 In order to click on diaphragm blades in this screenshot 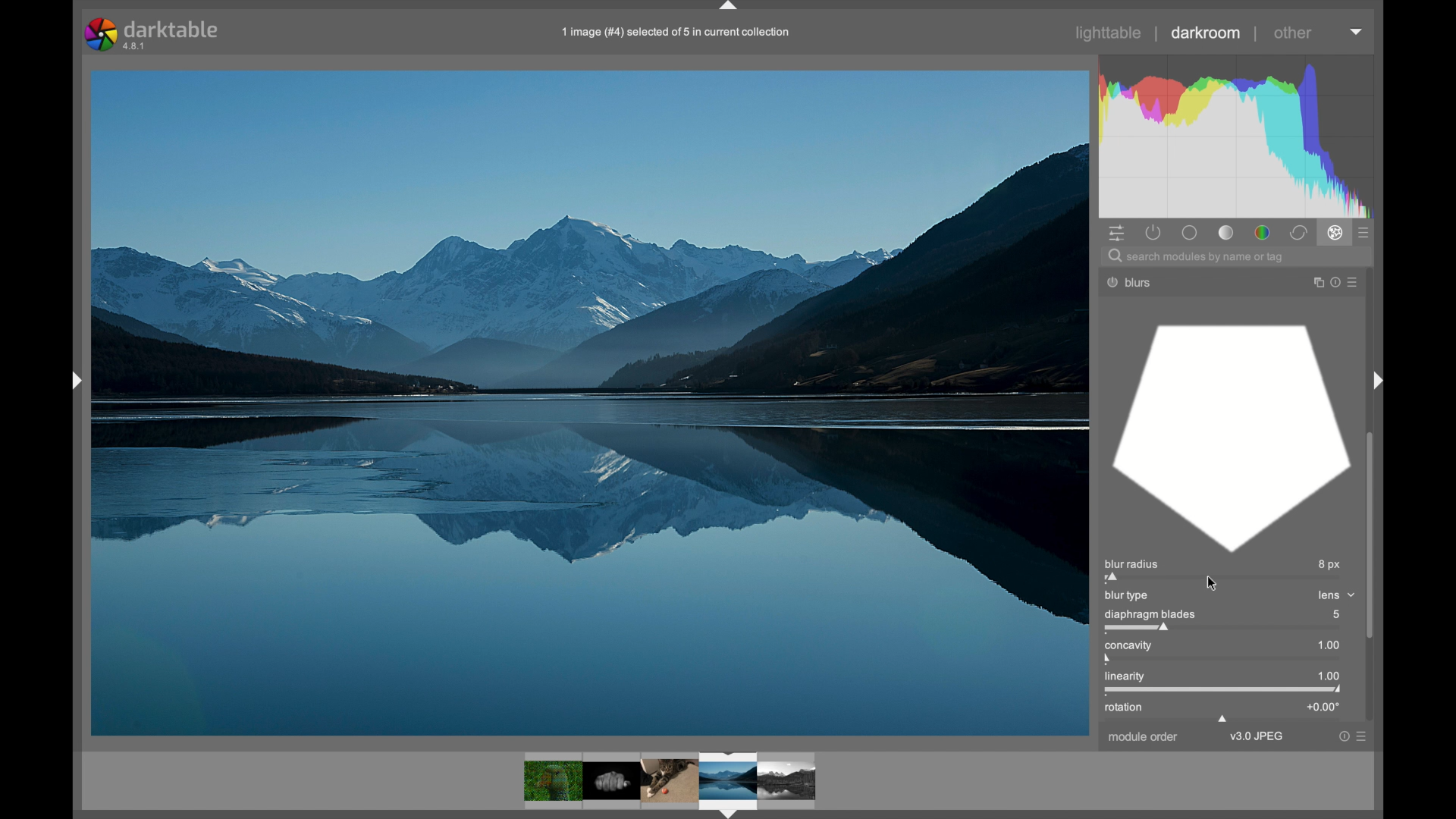, I will do `click(1148, 614)`.